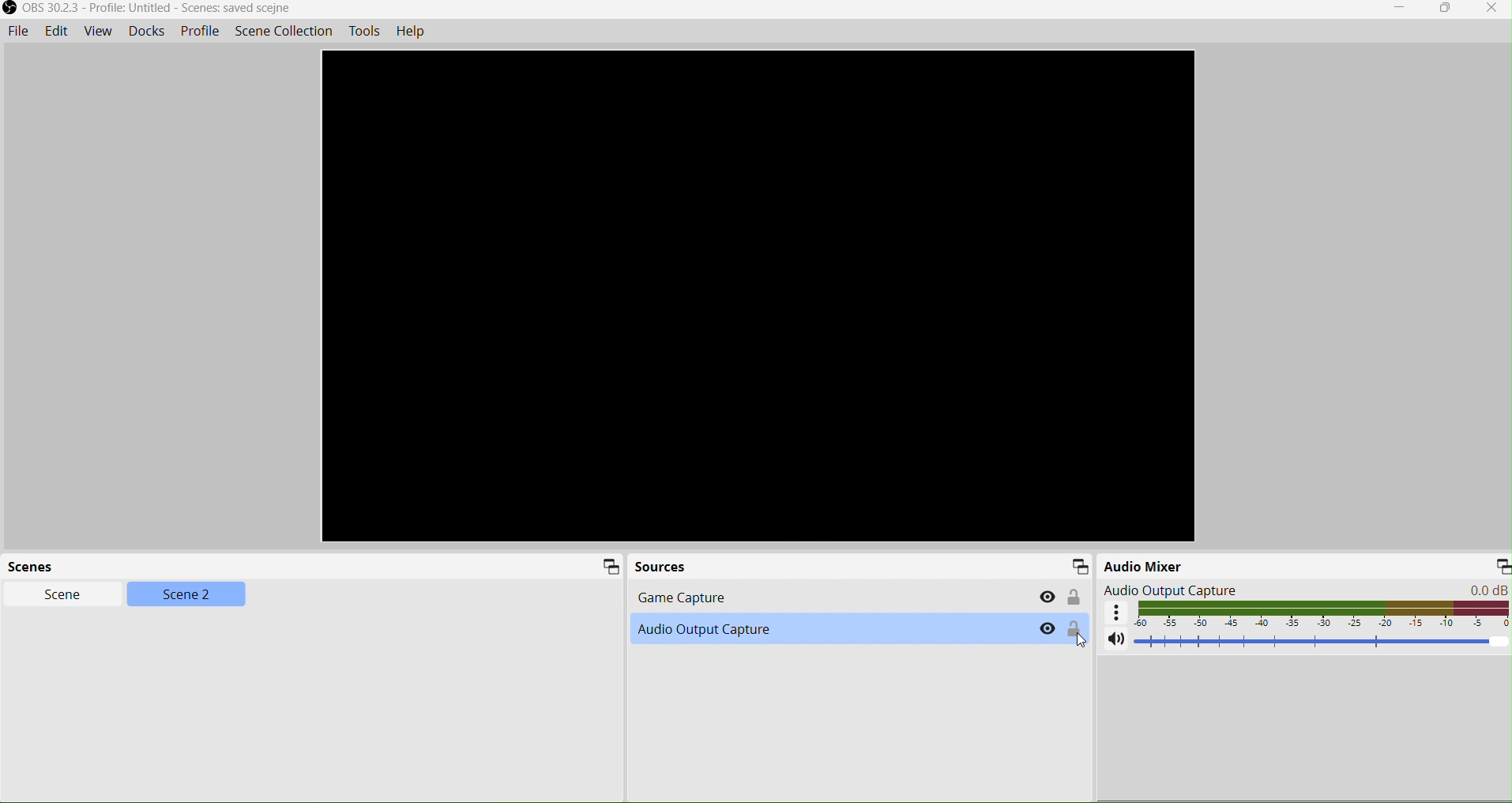 This screenshot has width=1512, height=803. What do you see at coordinates (1076, 628) in the screenshot?
I see `Lock` at bounding box center [1076, 628].